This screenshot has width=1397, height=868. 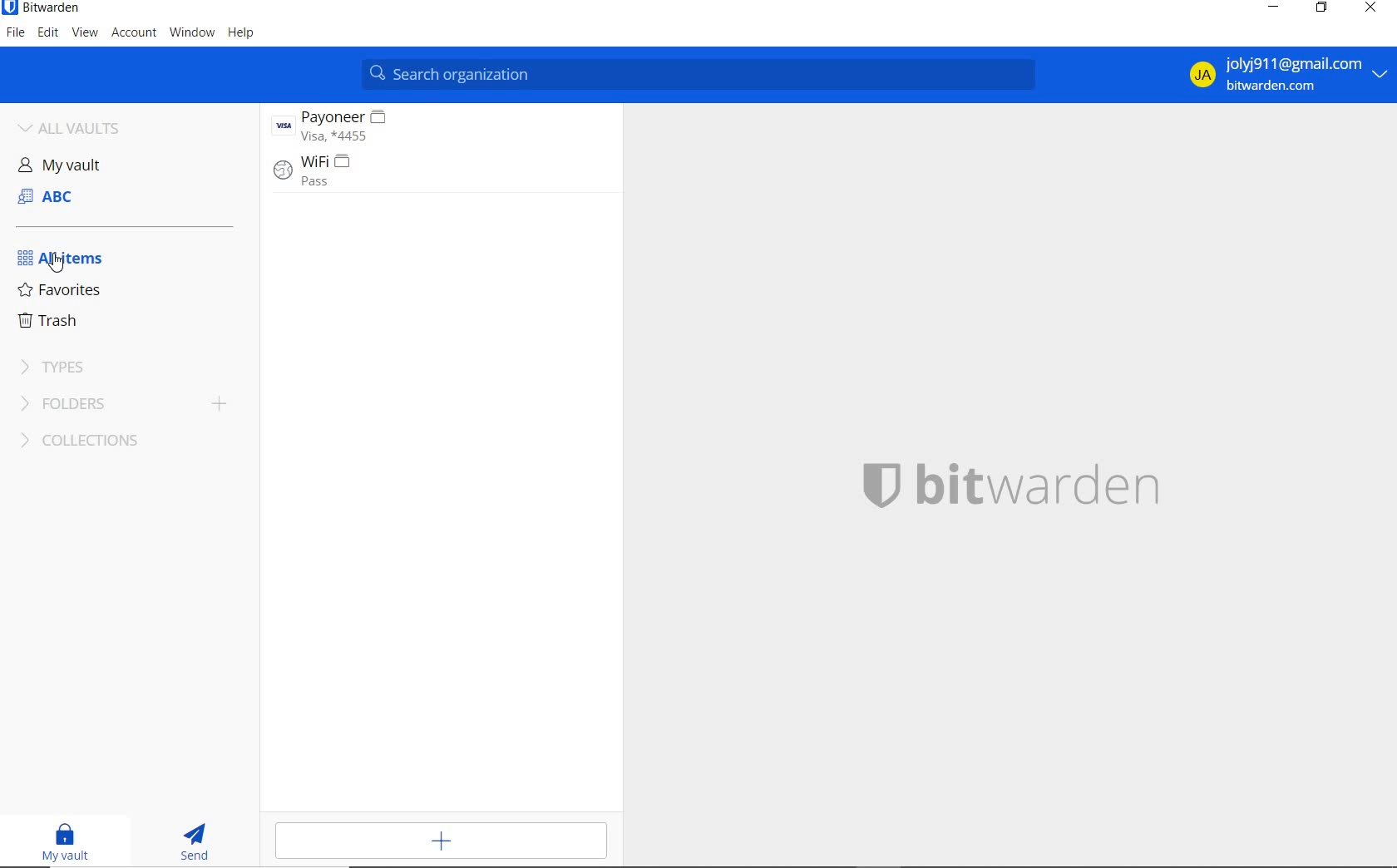 I want to click on Wifi entry, so click(x=373, y=175).